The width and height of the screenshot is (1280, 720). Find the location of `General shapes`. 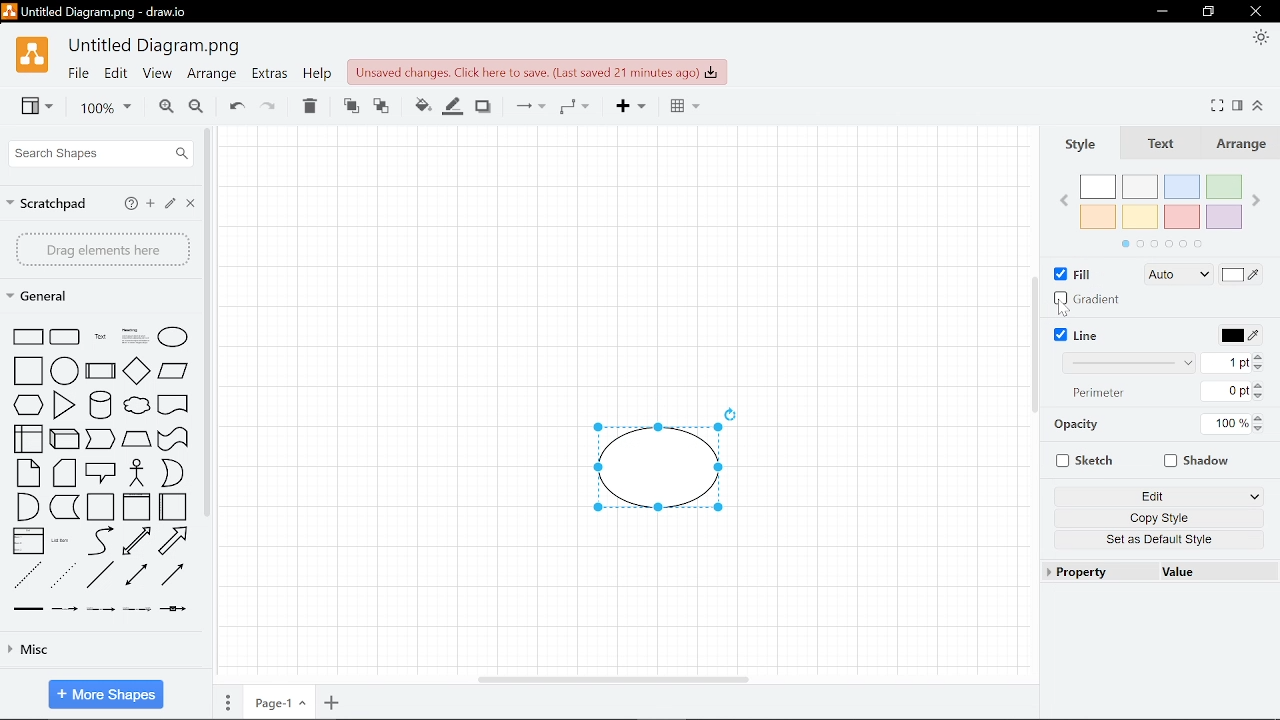

General shapes is located at coordinates (96, 295).